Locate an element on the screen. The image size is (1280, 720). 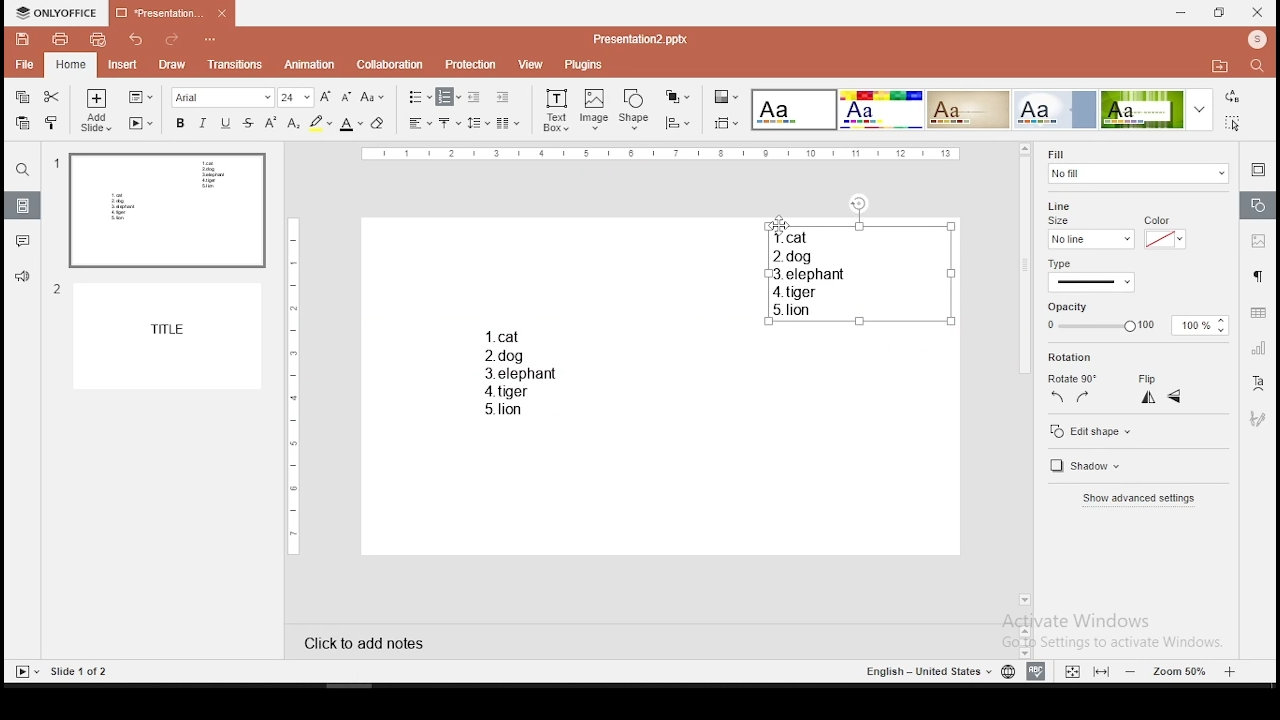
chart settings is located at coordinates (1256, 350).